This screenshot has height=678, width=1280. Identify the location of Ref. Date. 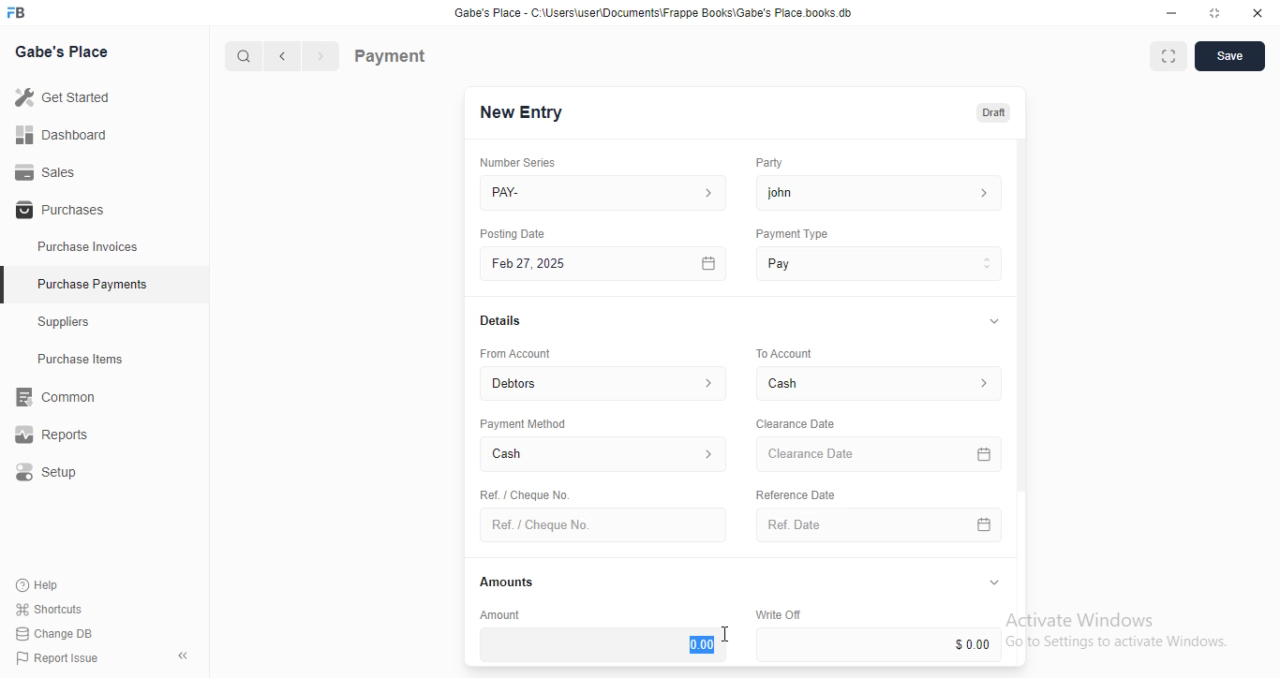
(879, 525).